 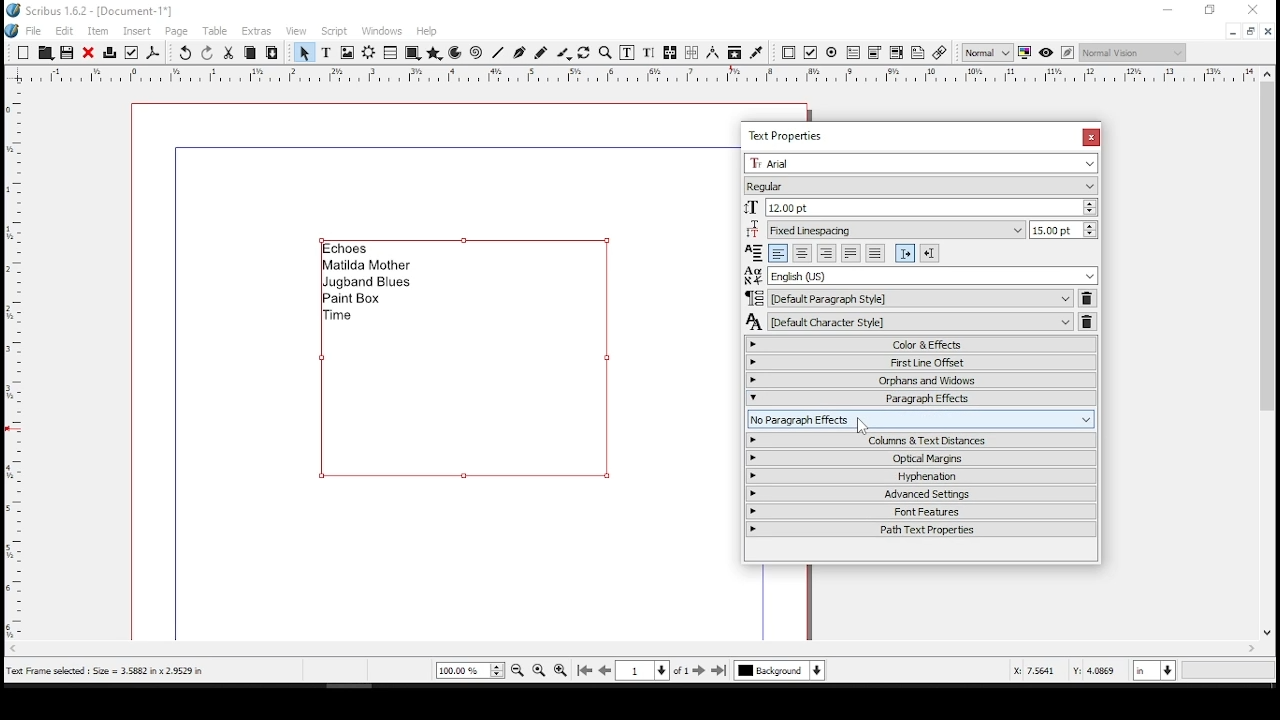 I want to click on close window, so click(x=1256, y=9).